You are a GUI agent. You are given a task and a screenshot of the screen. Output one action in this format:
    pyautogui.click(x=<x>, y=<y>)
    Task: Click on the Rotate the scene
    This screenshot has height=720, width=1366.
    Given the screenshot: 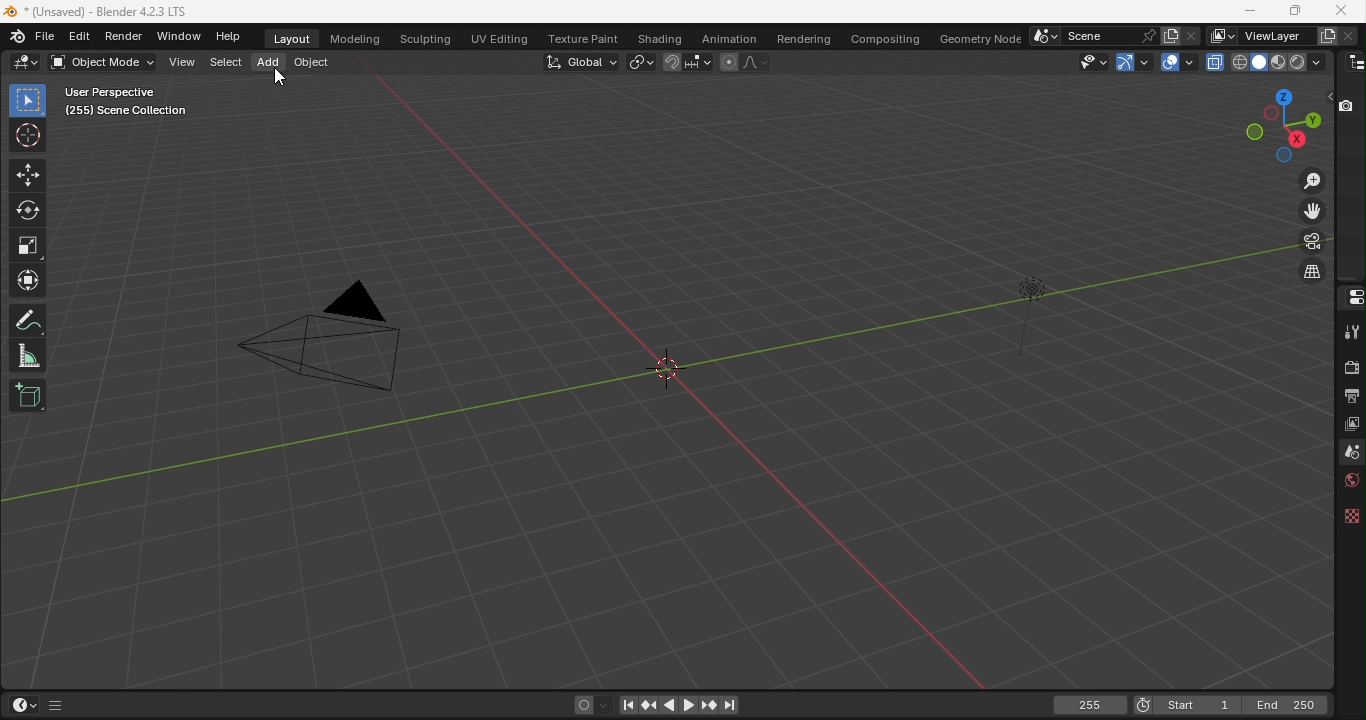 What is the action you would take?
    pyautogui.click(x=1284, y=96)
    